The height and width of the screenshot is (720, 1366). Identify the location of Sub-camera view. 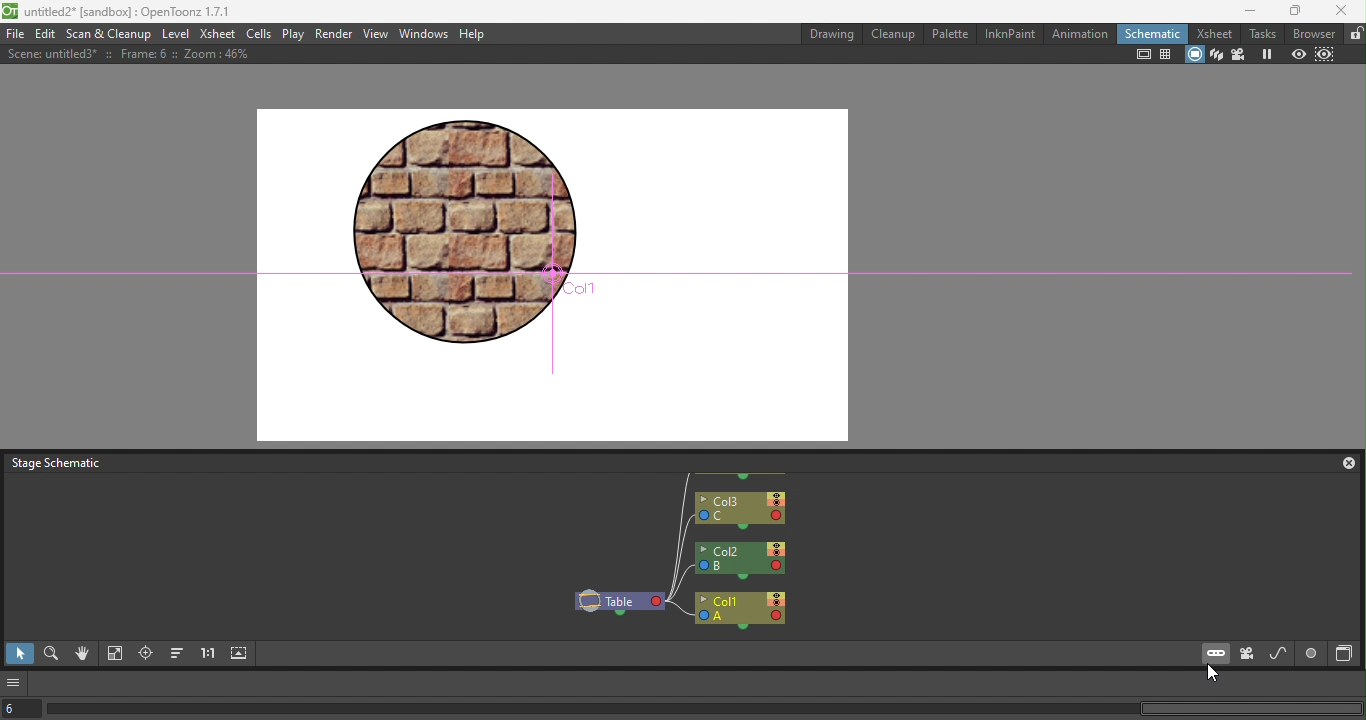
(1327, 55).